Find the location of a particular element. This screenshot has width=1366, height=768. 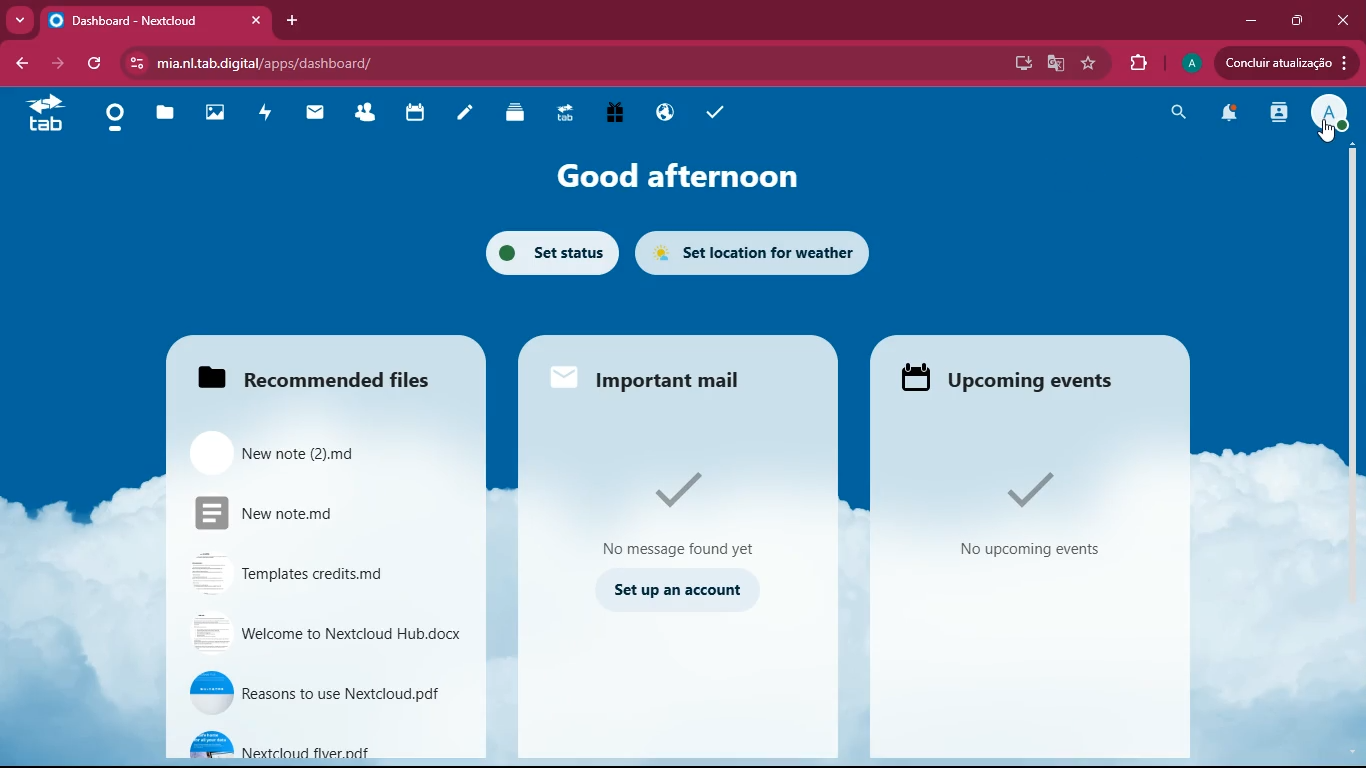

tab is located at coordinates (38, 116).